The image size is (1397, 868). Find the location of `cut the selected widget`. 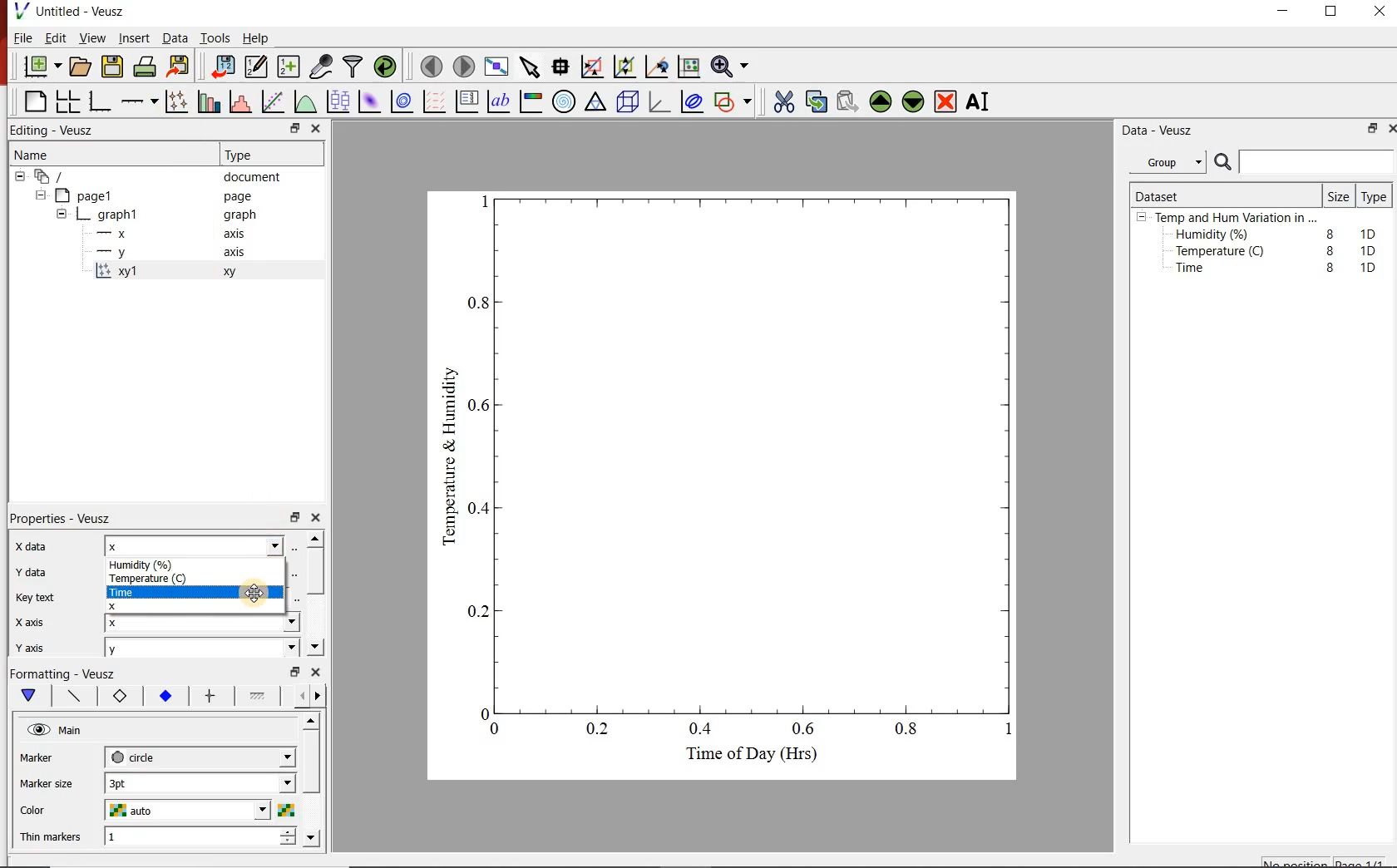

cut the selected widget is located at coordinates (782, 100).